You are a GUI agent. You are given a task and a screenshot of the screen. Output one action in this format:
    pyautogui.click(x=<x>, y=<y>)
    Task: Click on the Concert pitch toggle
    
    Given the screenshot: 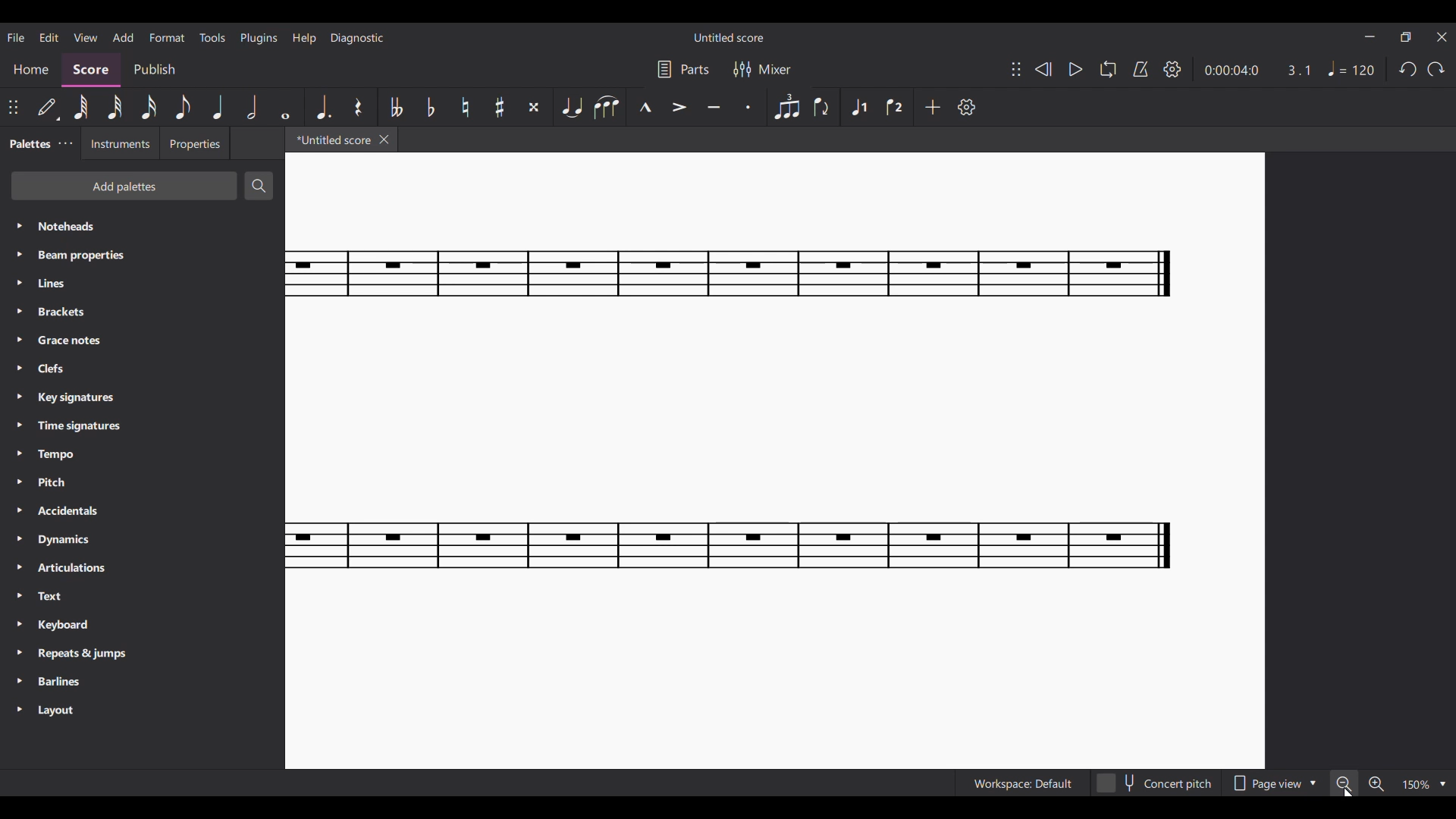 What is the action you would take?
    pyautogui.click(x=1155, y=783)
    